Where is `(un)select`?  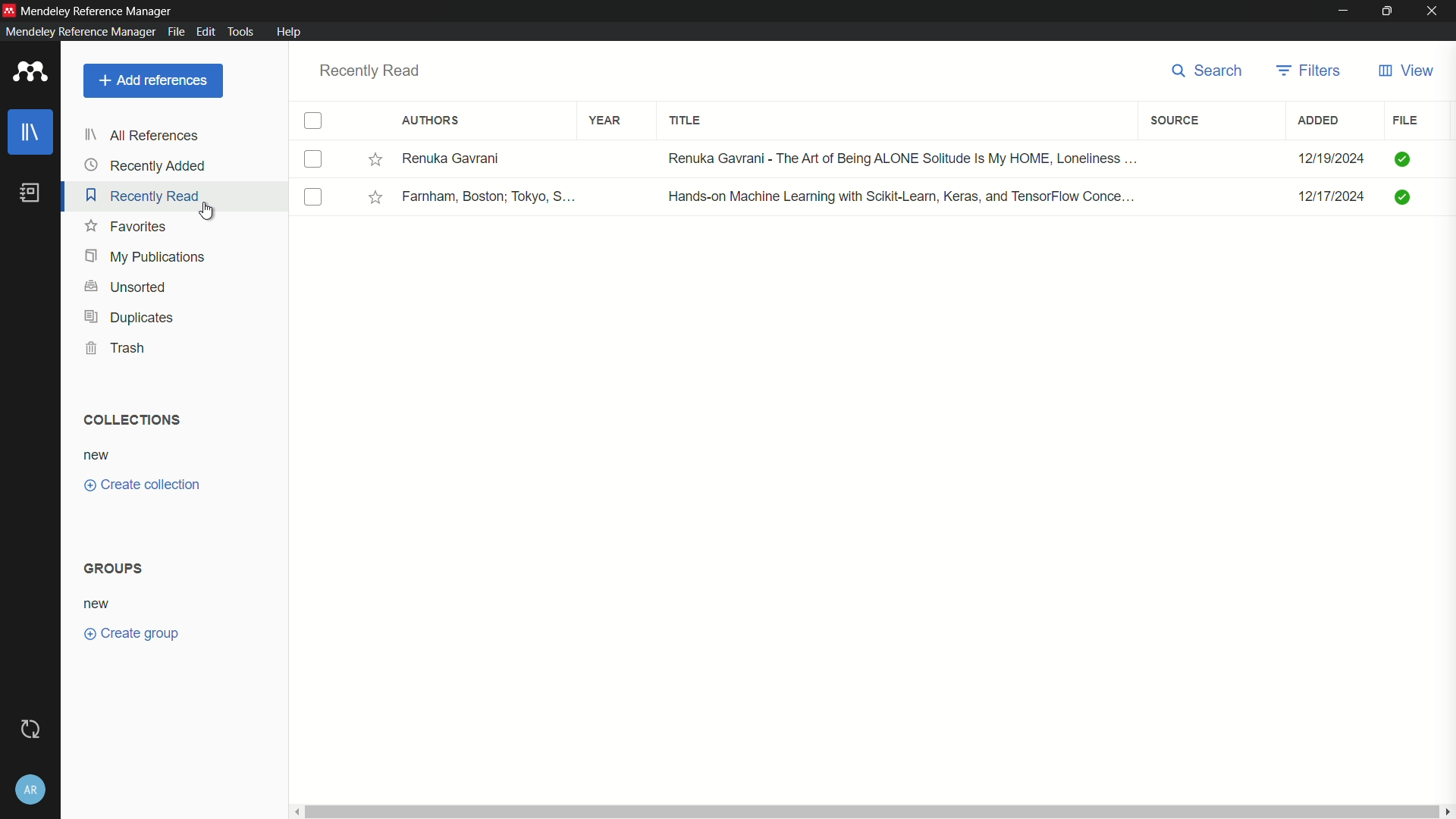
(un)select is located at coordinates (312, 160).